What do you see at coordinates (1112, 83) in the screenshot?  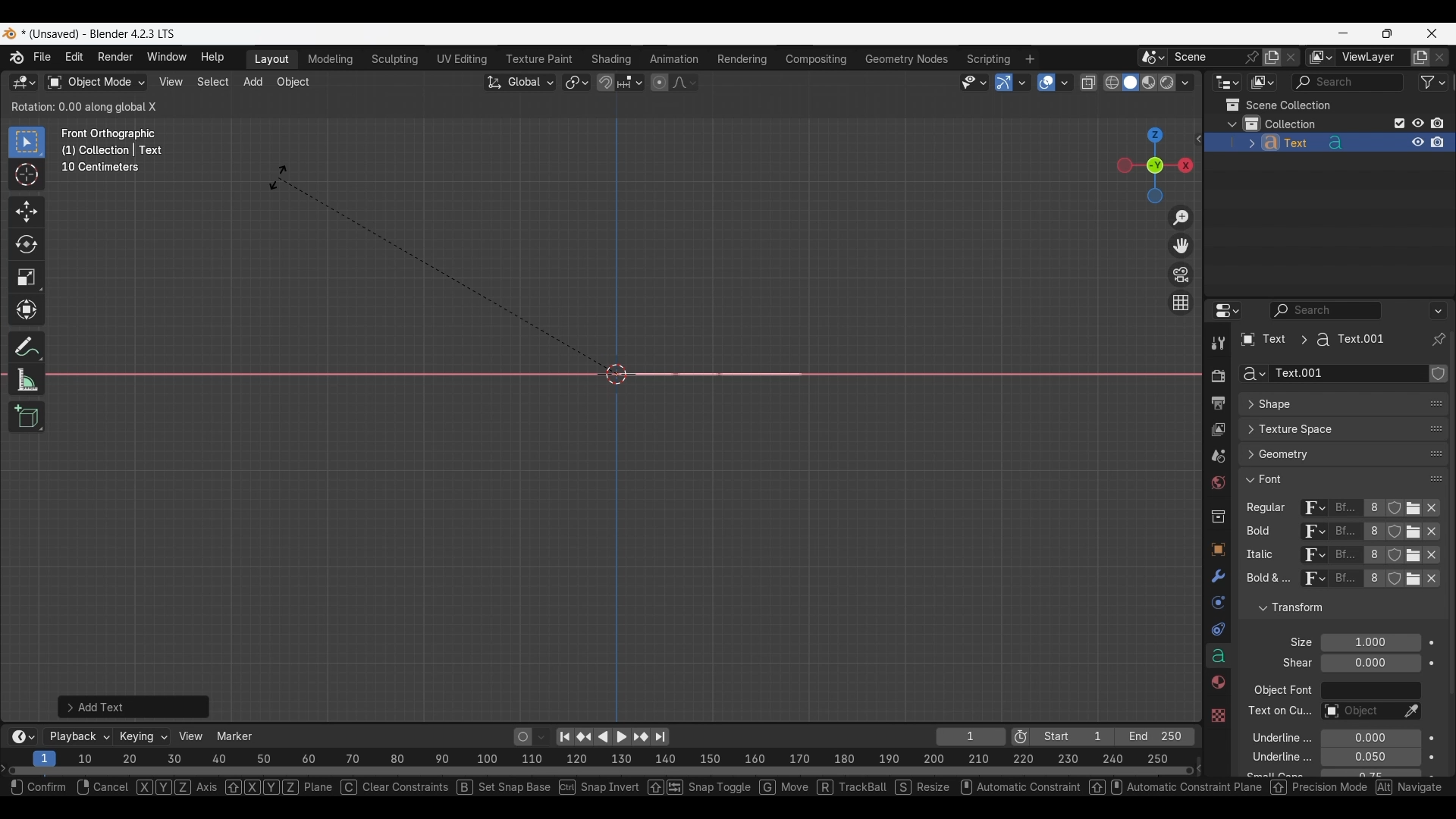 I see `Viewport shading, wireframe` at bounding box center [1112, 83].